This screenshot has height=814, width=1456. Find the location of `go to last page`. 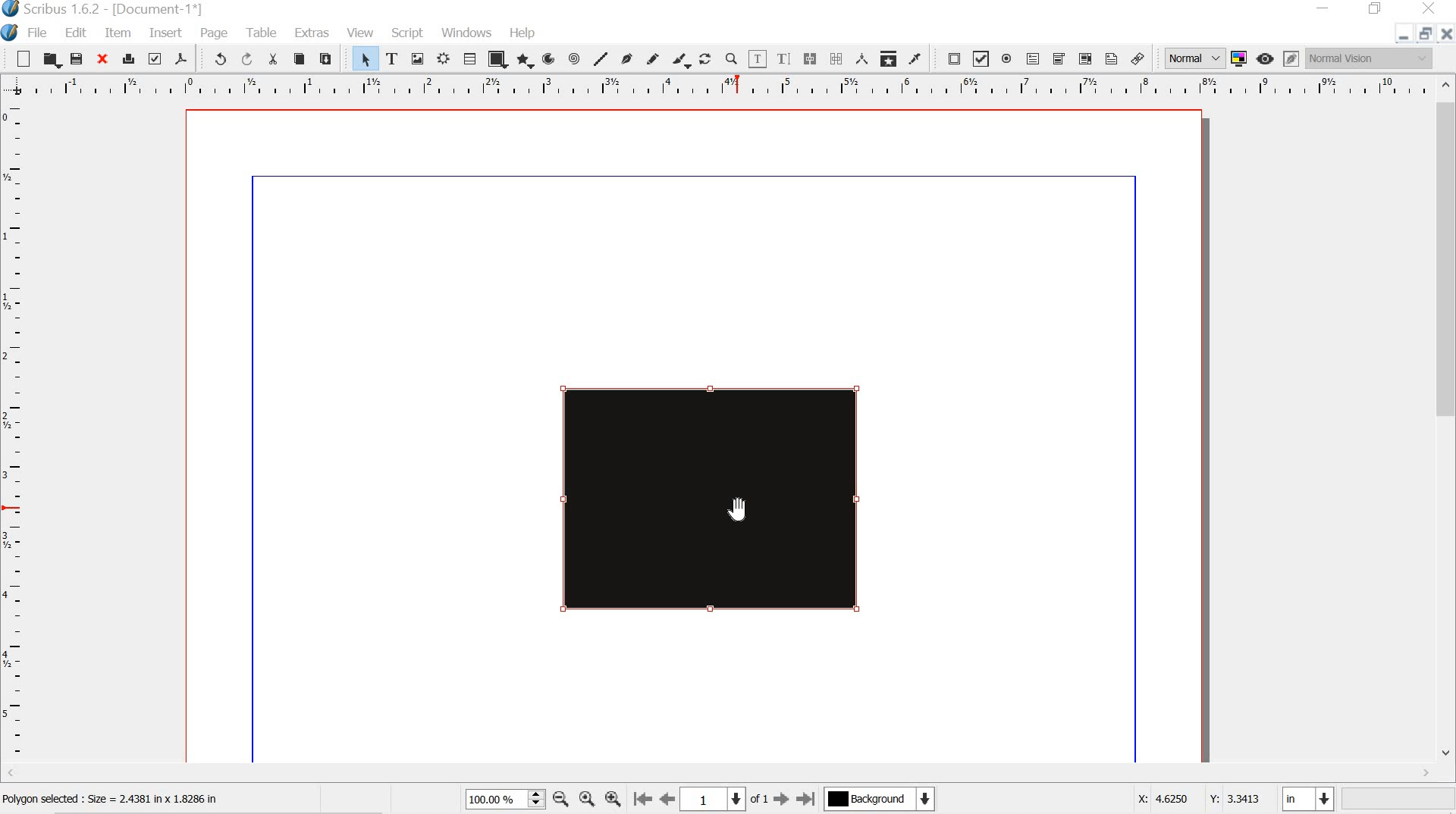

go to last page is located at coordinates (805, 799).